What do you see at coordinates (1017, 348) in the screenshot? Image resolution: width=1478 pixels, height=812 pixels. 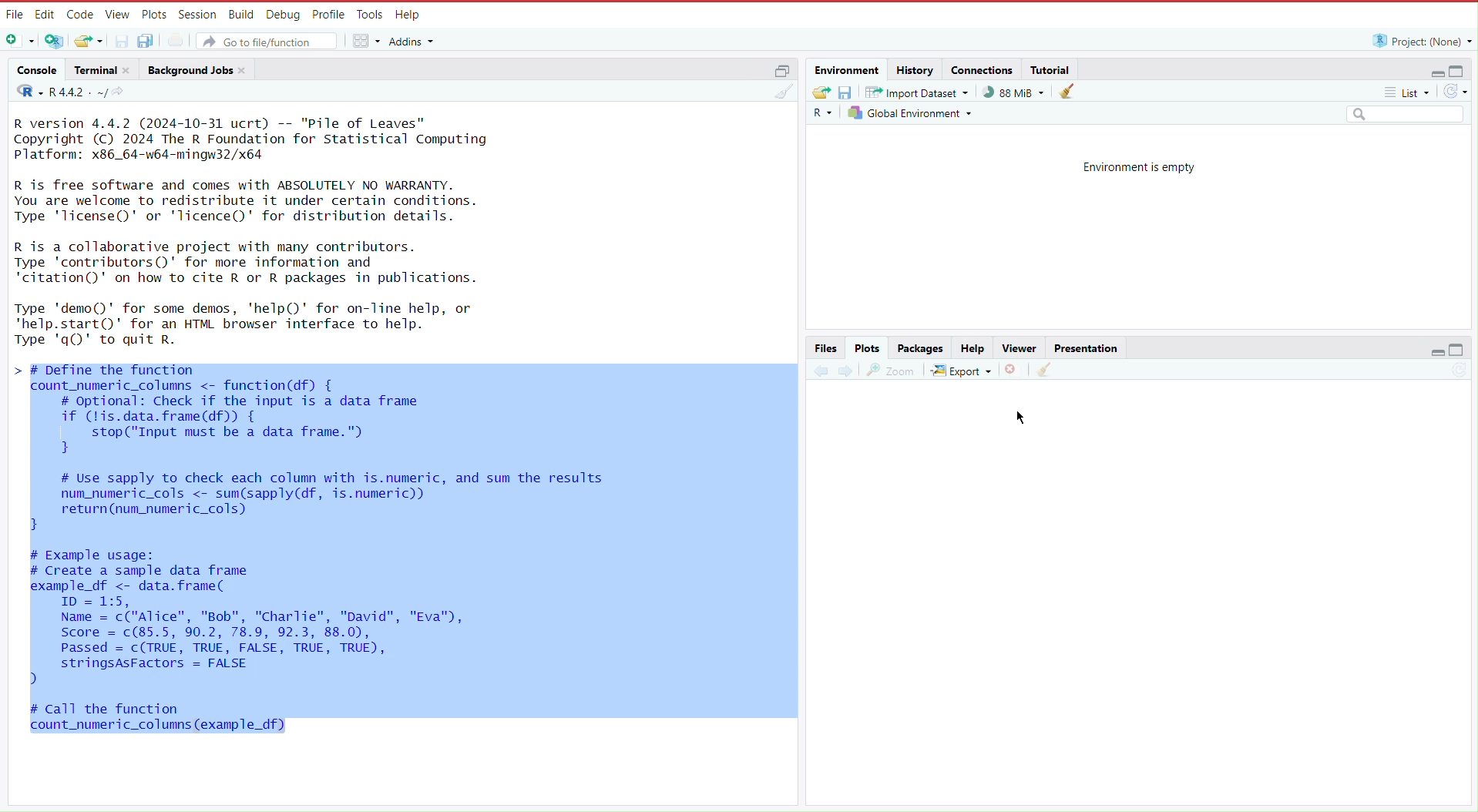 I see `Viewer` at bounding box center [1017, 348].